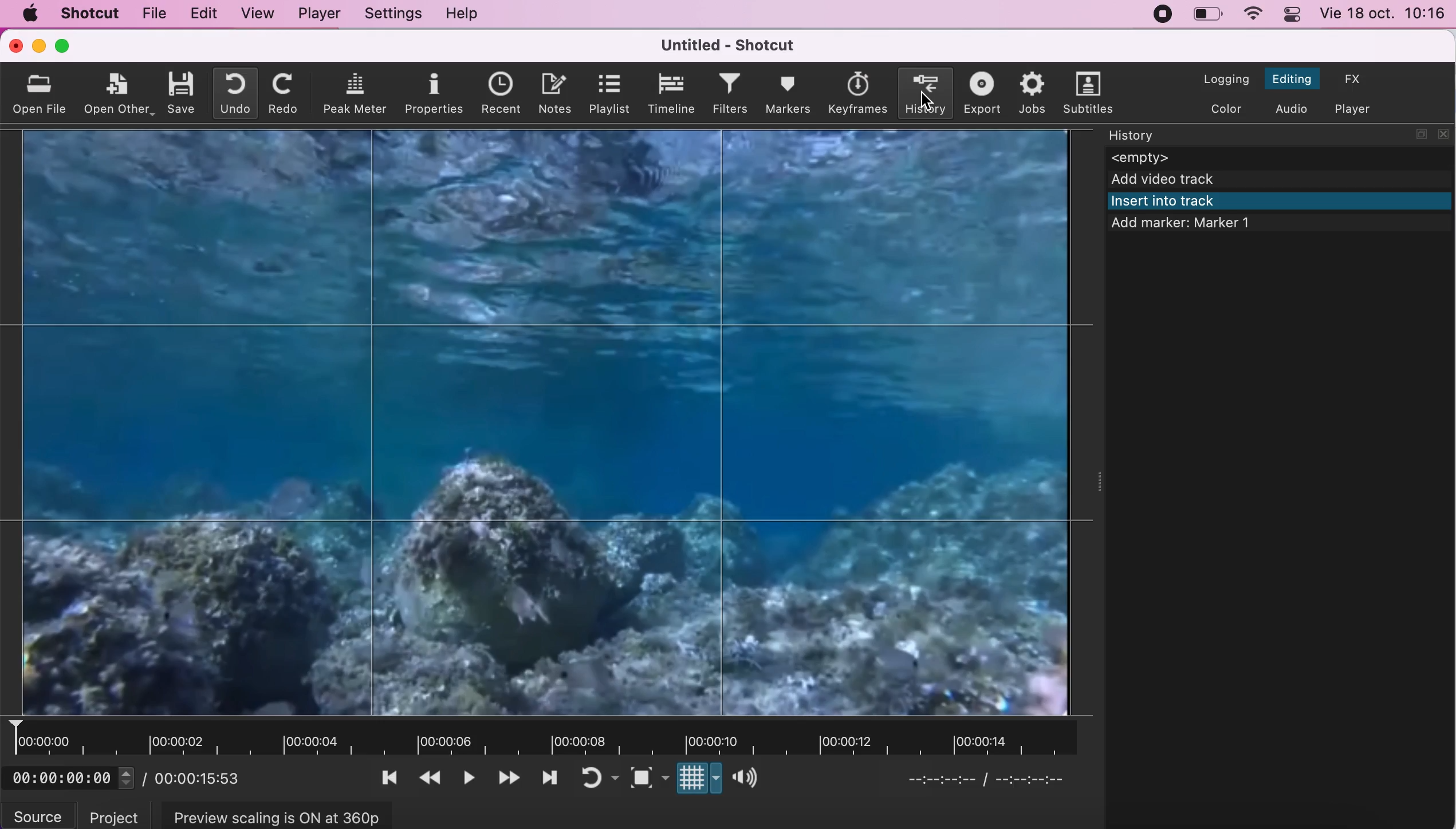 This screenshot has width=1456, height=829. I want to click on Vie 18 oct., so click(1356, 14).